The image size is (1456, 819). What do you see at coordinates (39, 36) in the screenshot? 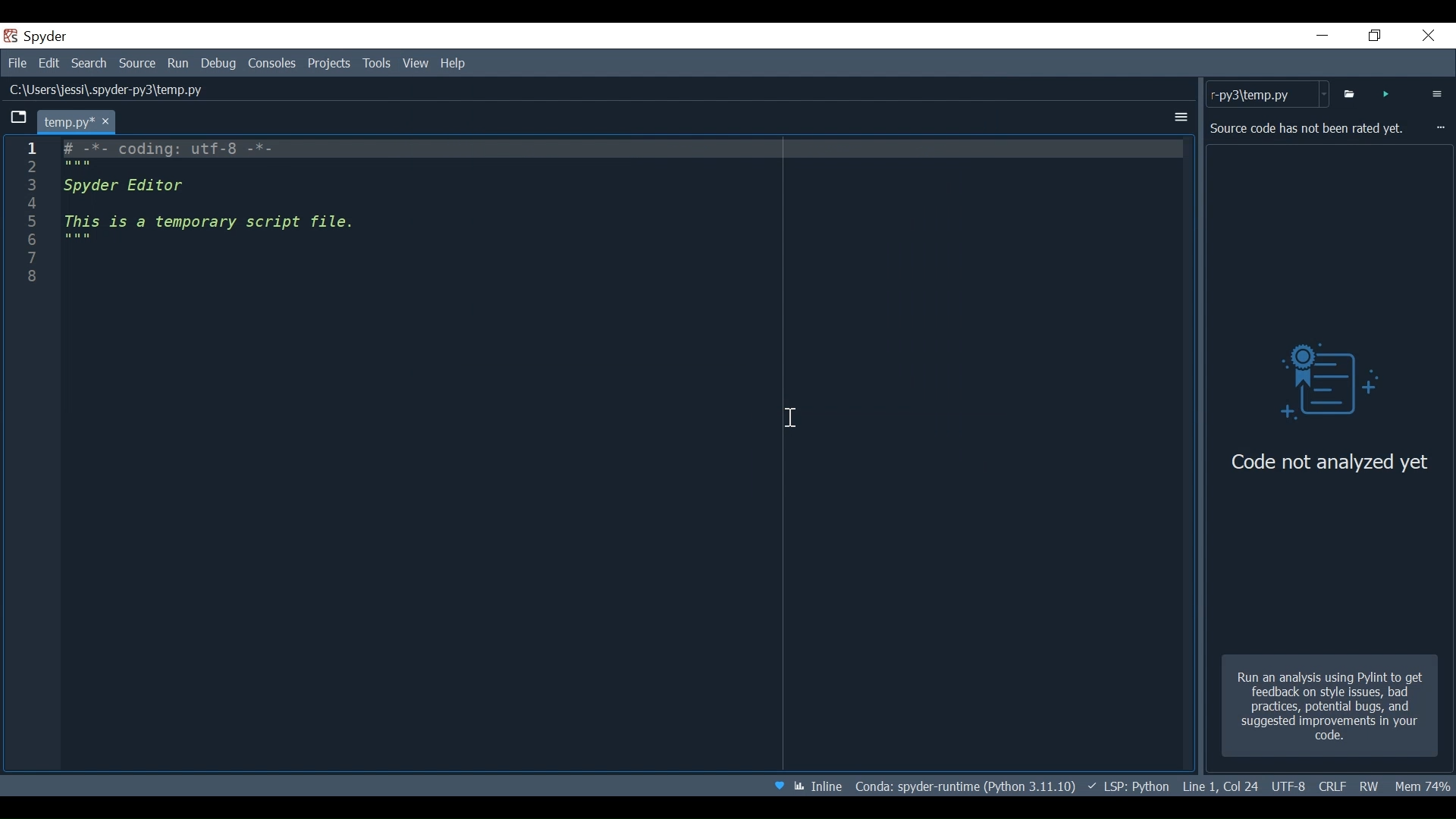
I see `Spyder Desktop icon` at bounding box center [39, 36].